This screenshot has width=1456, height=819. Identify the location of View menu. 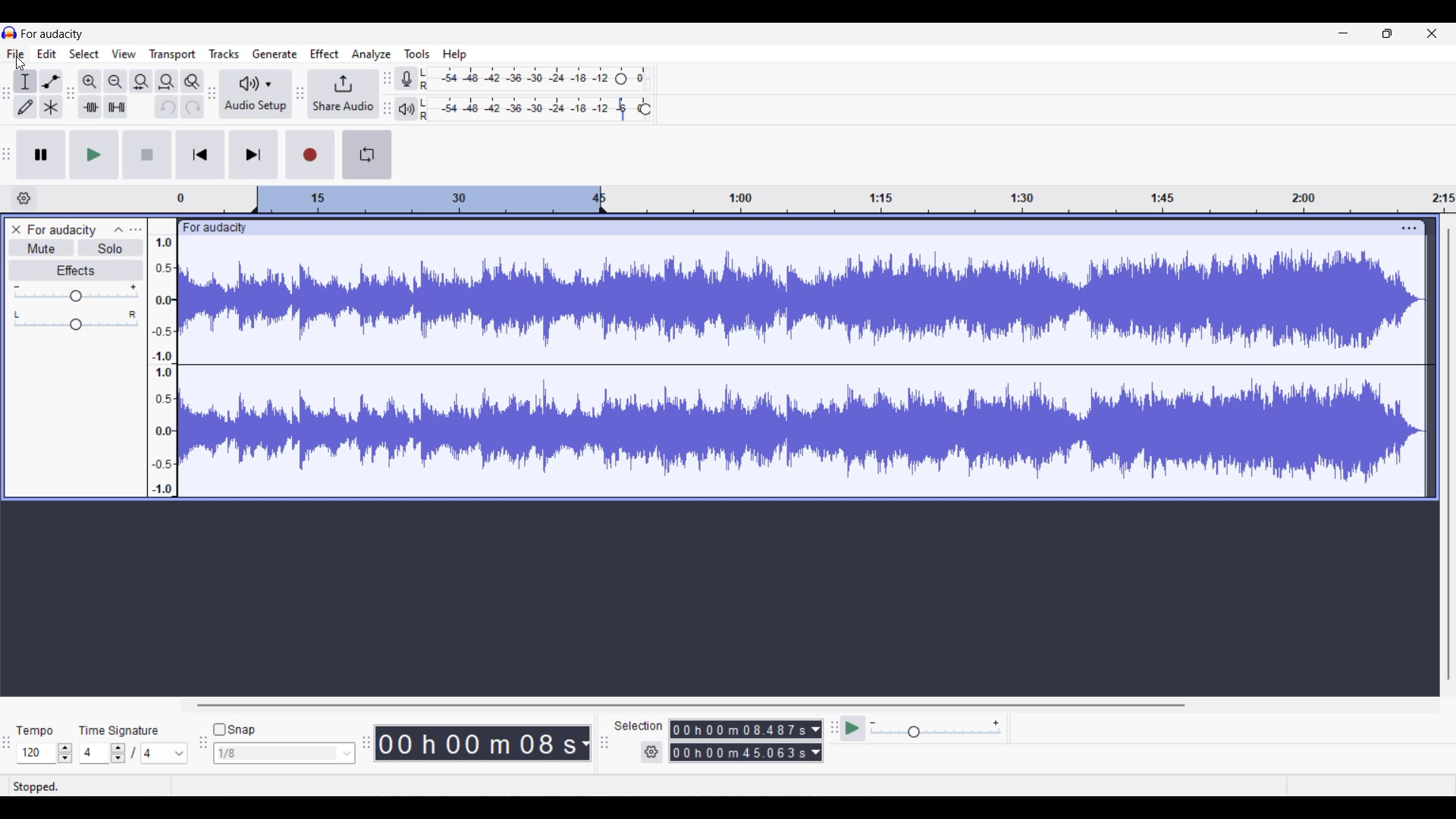
(124, 54).